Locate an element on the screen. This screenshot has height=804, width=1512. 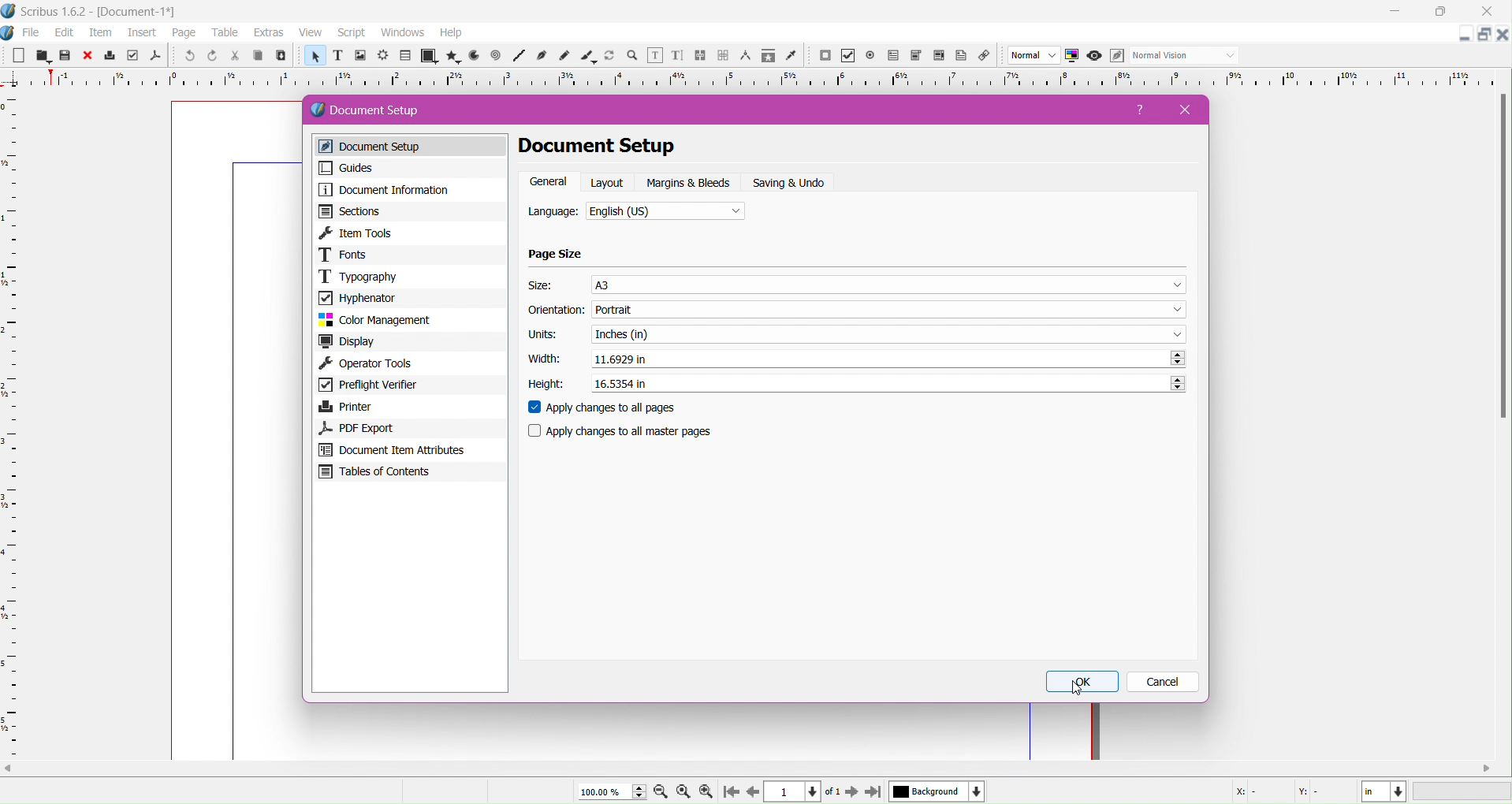
measurement unit is located at coordinates (1384, 791).